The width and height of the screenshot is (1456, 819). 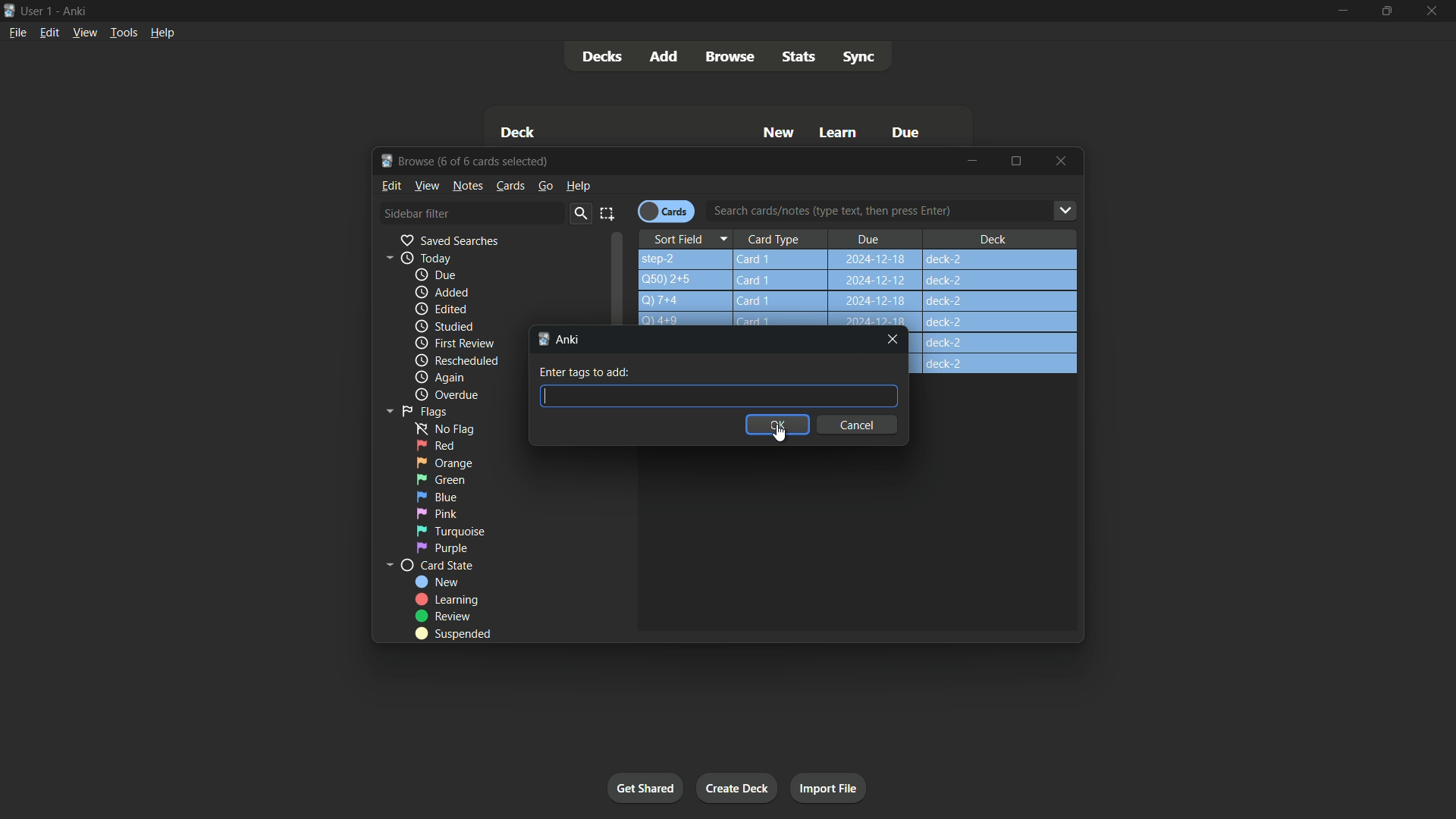 I want to click on Studied, so click(x=444, y=327).